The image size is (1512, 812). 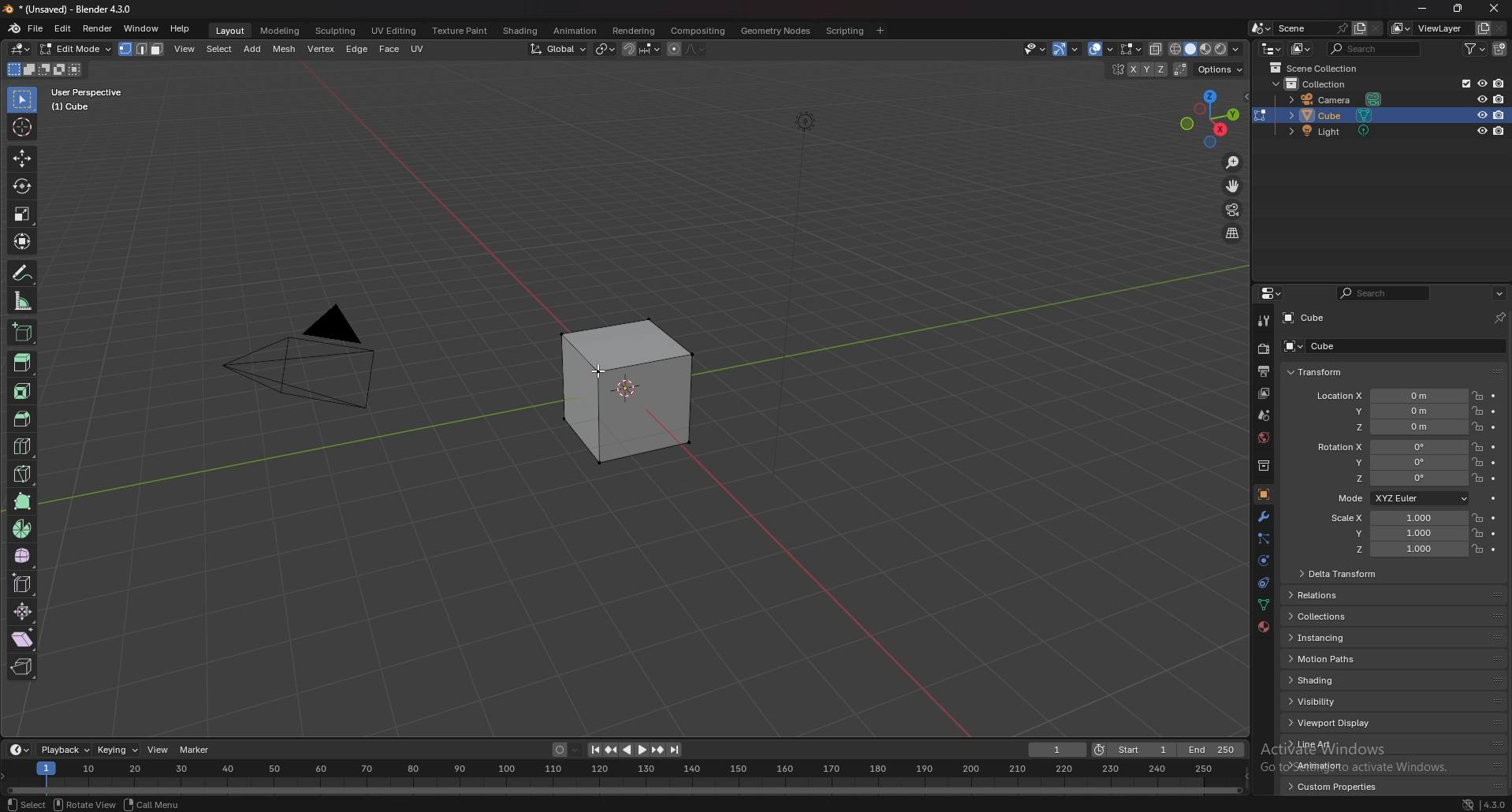 I want to click on move, so click(x=1233, y=186).